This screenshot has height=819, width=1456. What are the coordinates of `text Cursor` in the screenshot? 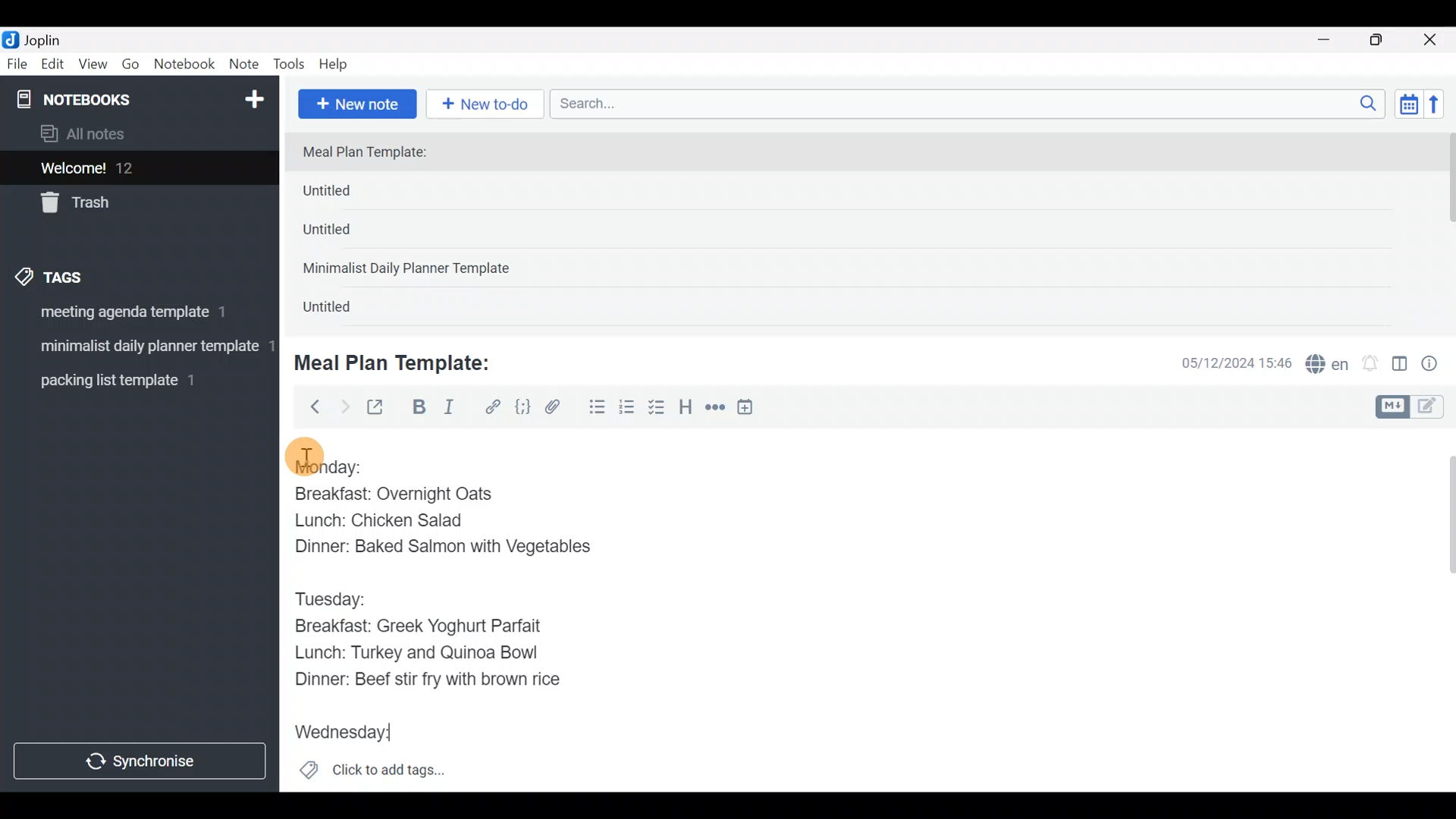 It's located at (413, 736).